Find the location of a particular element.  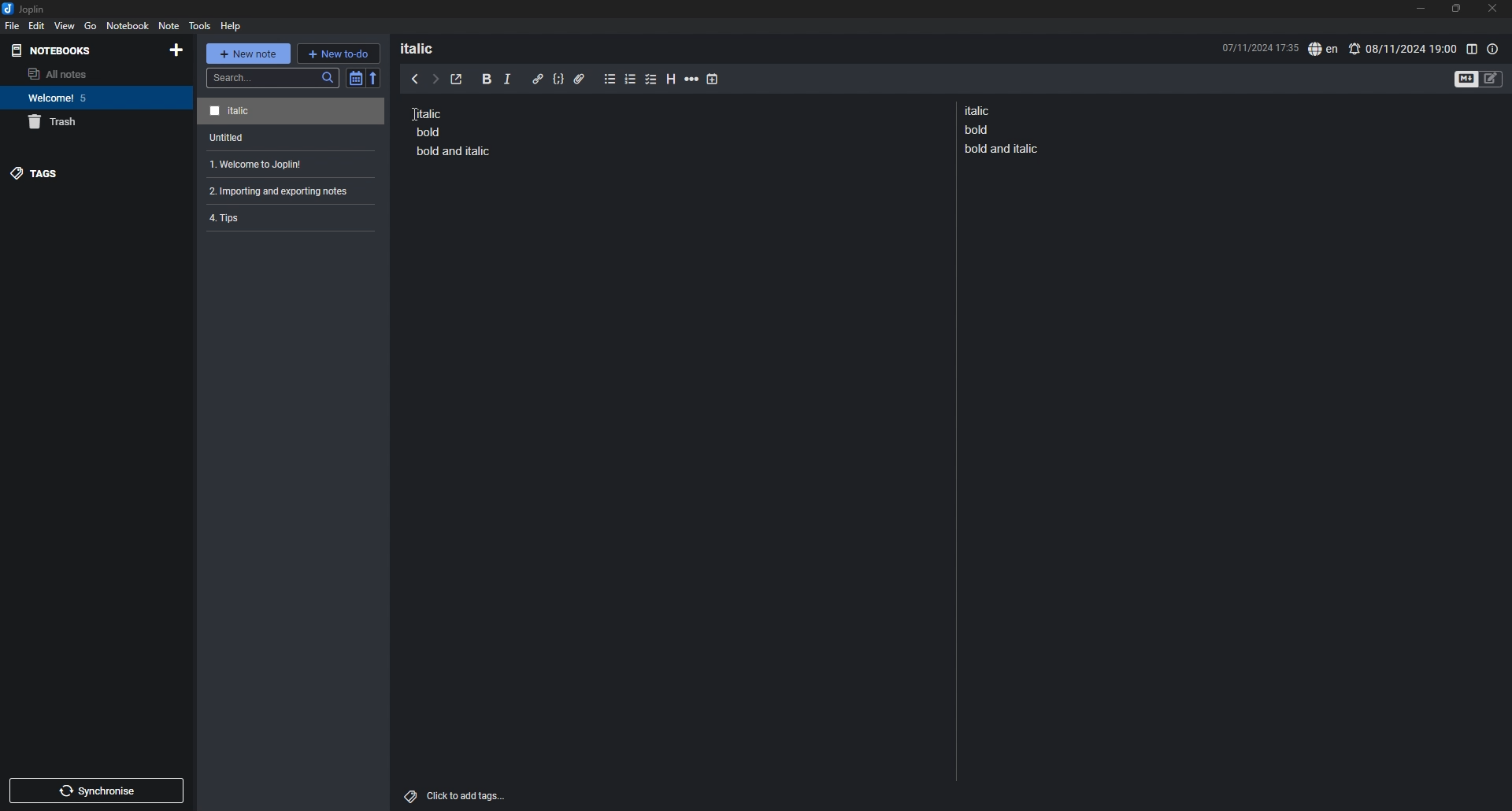

bullet list is located at coordinates (610, 80).